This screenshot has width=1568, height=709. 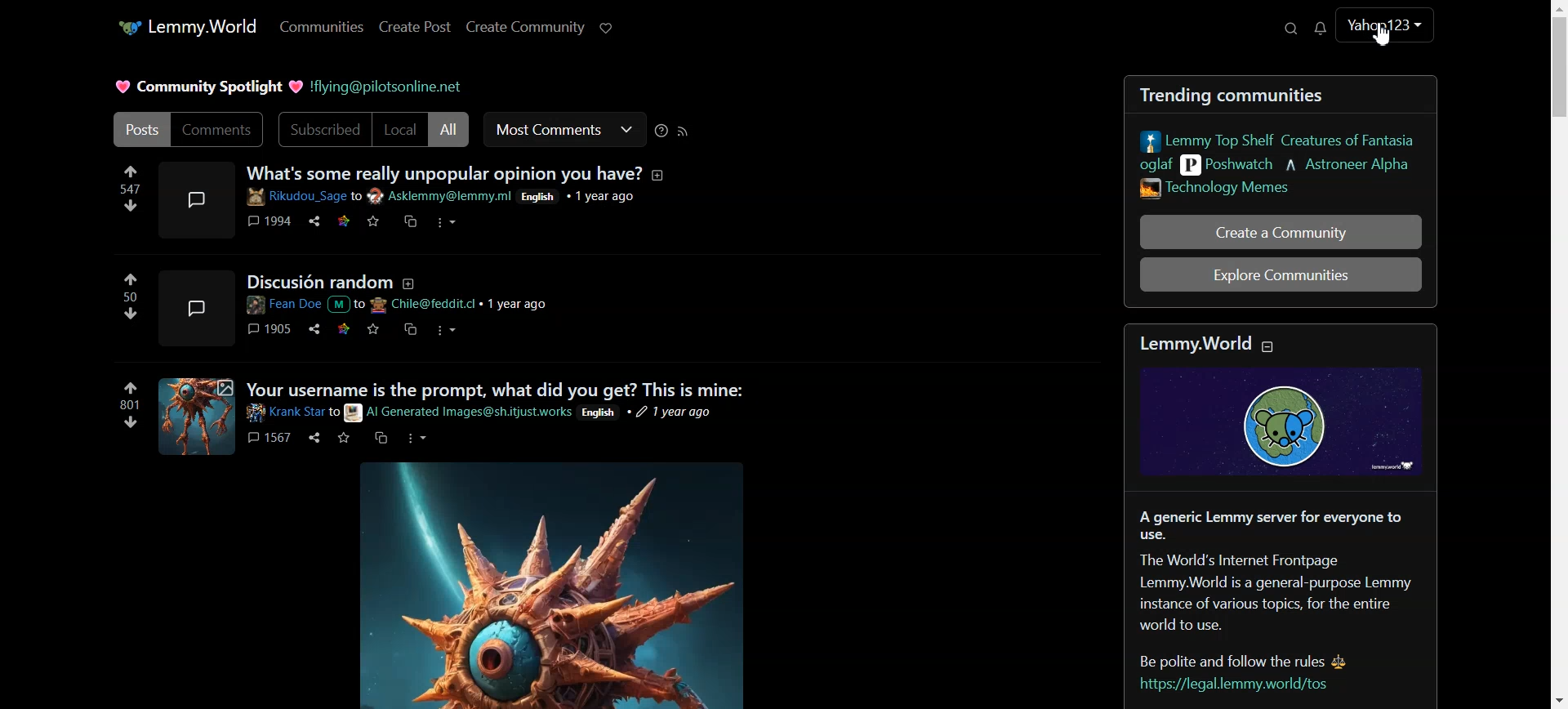 I want to click on Vertical Scroll bar, so click(x=1557, y=354).